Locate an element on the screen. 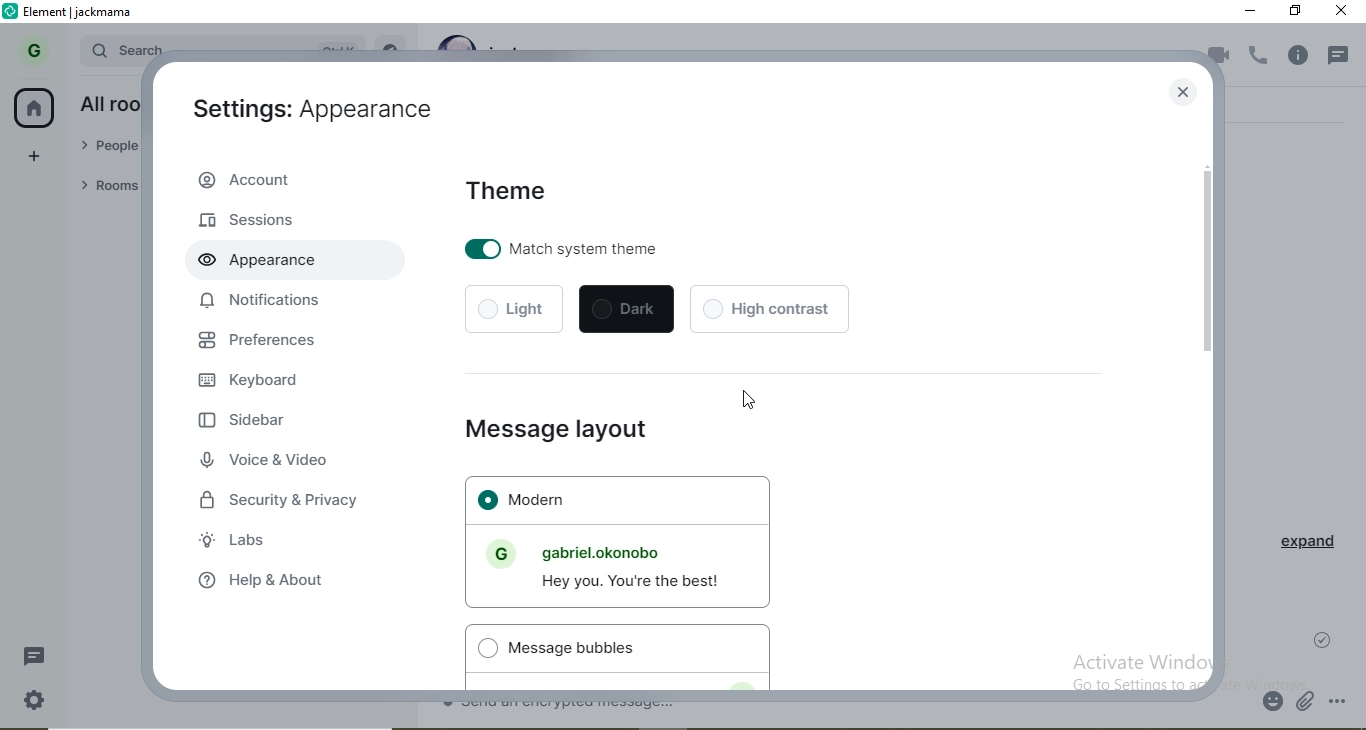  cursor is located at coordinates (747, 397).